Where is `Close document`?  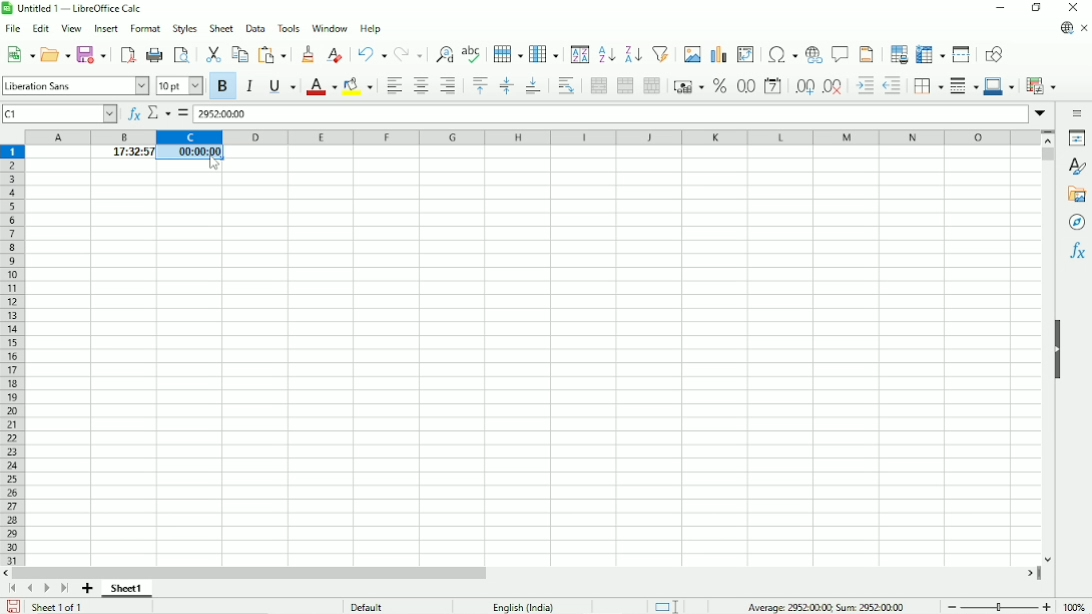 Close document is located at coordinates (1084, 28).